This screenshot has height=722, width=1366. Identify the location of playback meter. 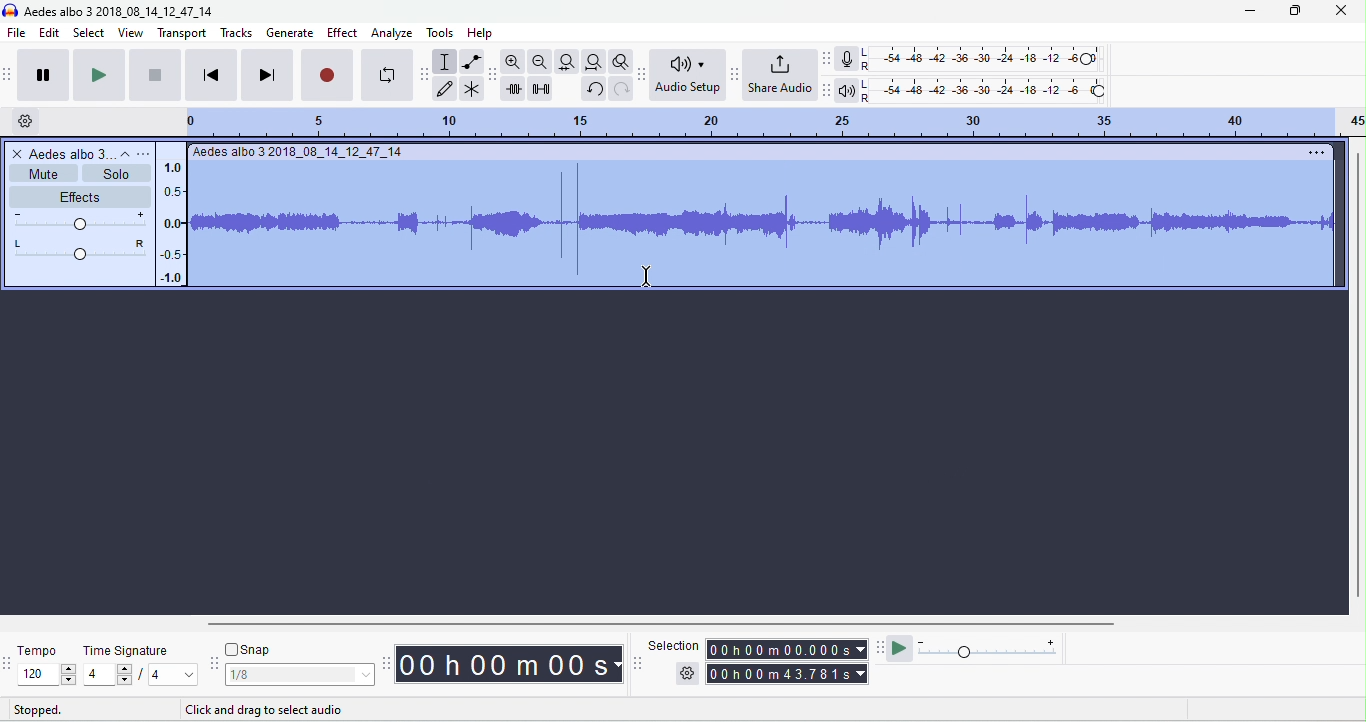
(848, 91).